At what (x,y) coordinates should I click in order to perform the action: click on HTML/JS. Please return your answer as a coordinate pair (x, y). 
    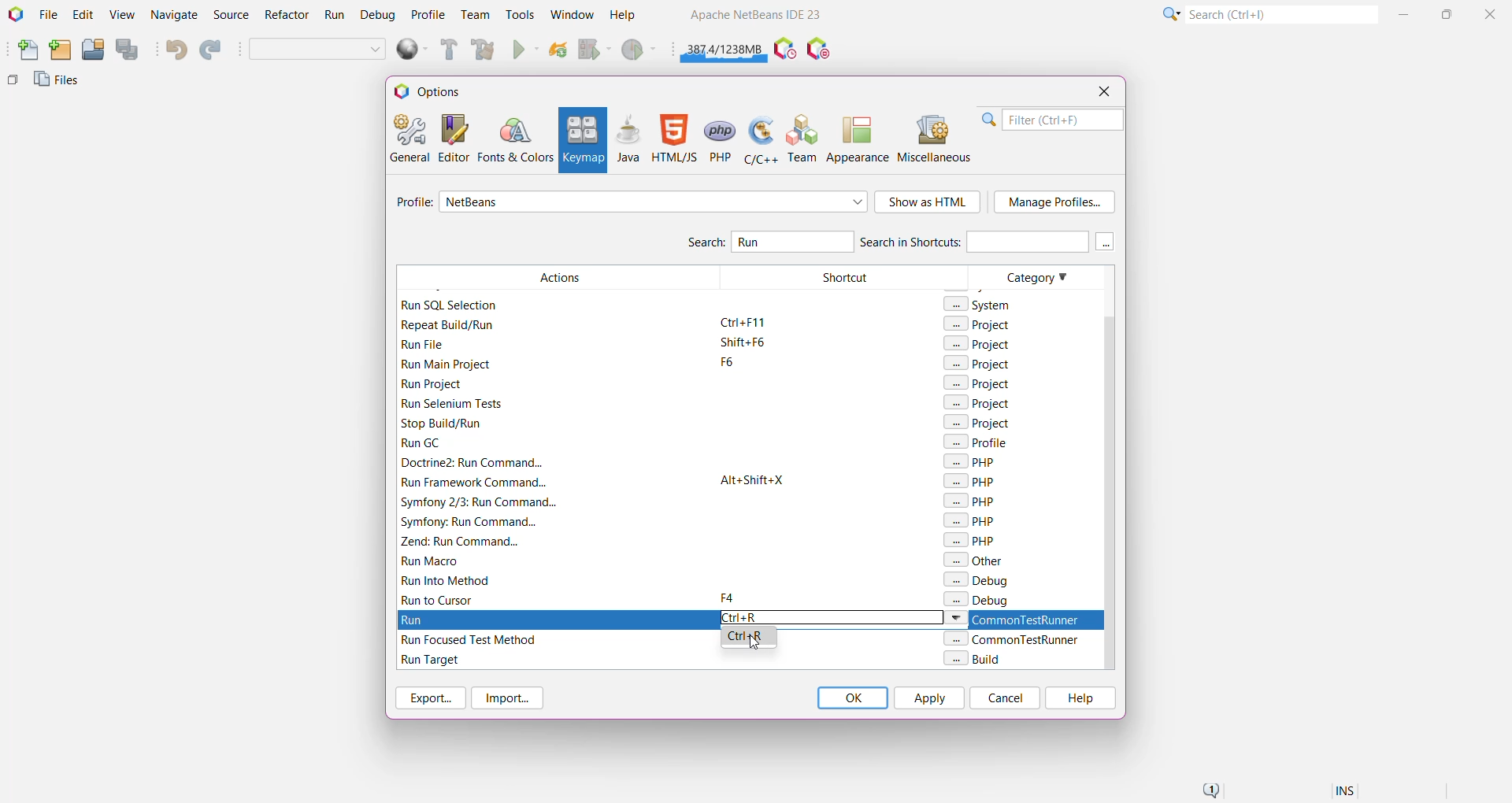
    Looking at the image, I should click on (673, 139).